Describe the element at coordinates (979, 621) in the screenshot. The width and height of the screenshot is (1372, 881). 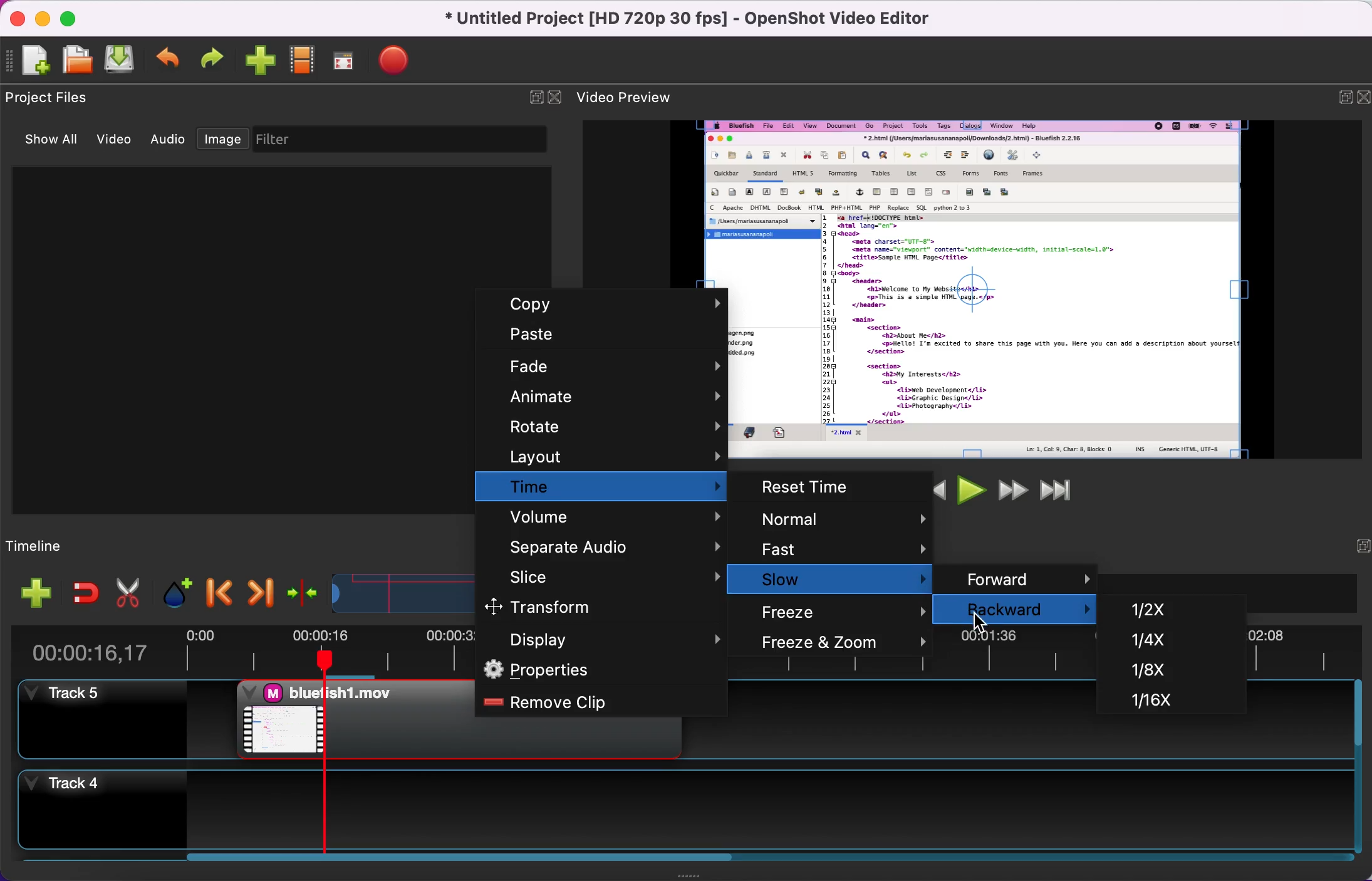
I see `Cursor` at that location.